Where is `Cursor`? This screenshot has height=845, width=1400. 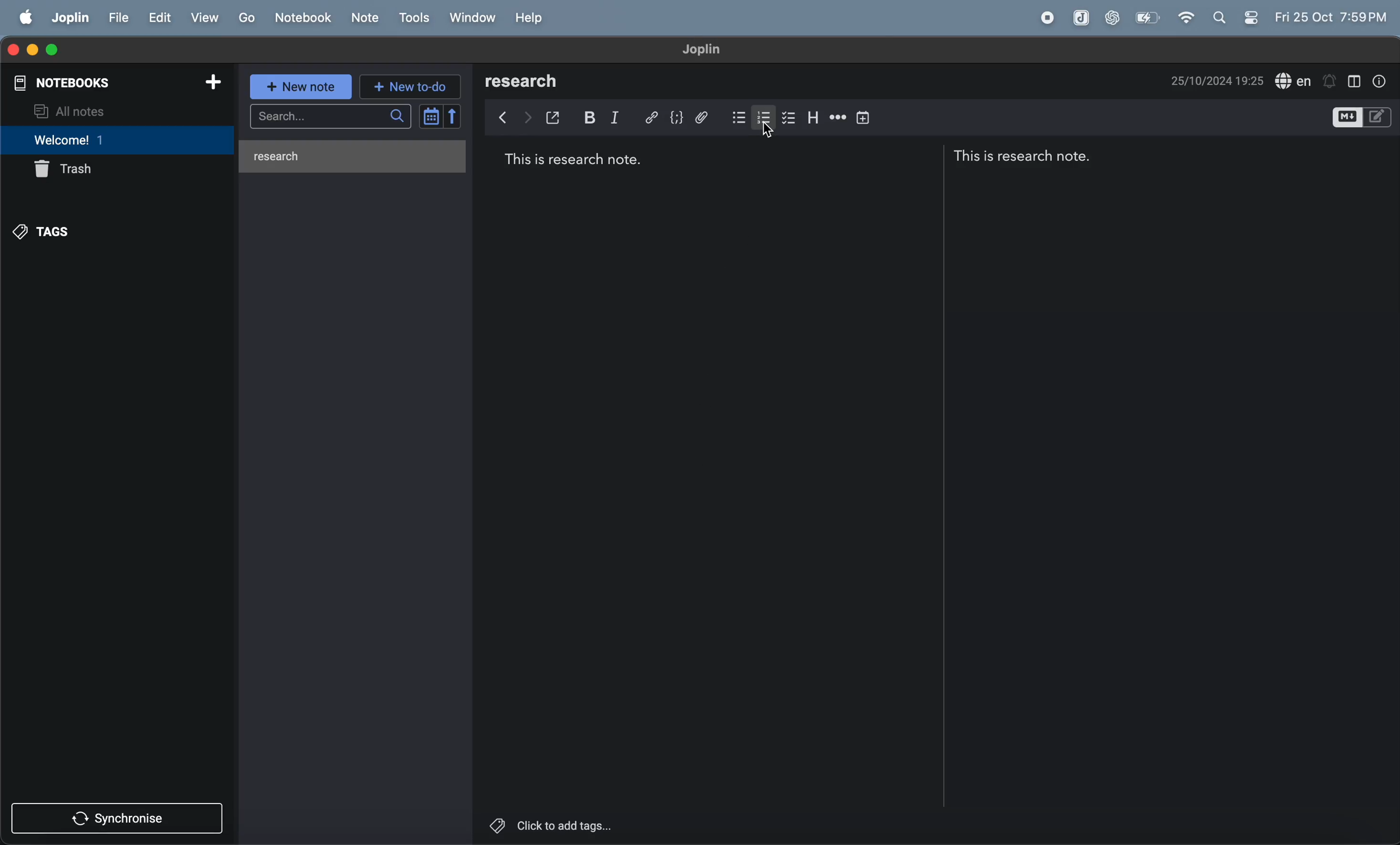 Cursor is located at coordinates (770, 137).